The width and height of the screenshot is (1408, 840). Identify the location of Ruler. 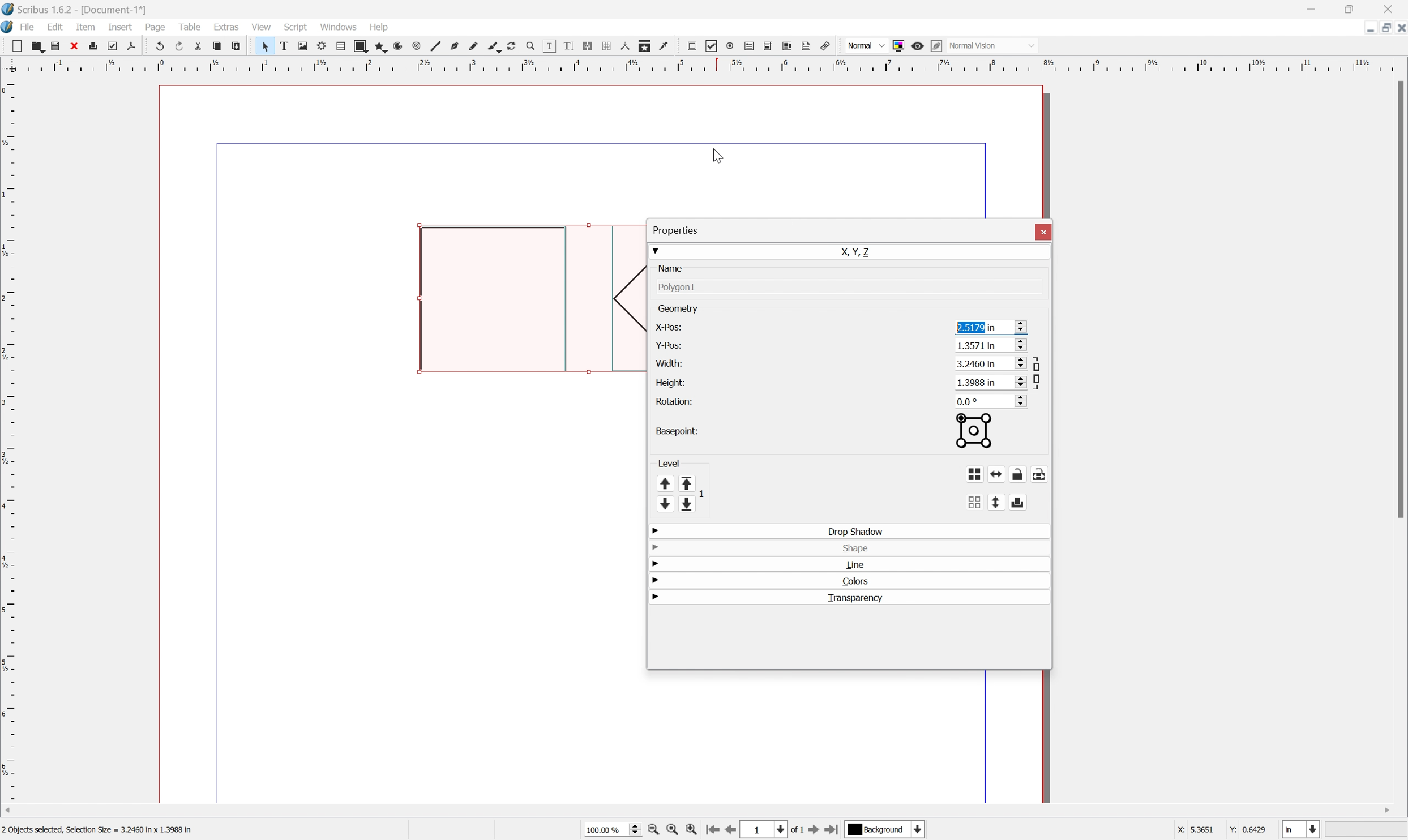
(706, 63).